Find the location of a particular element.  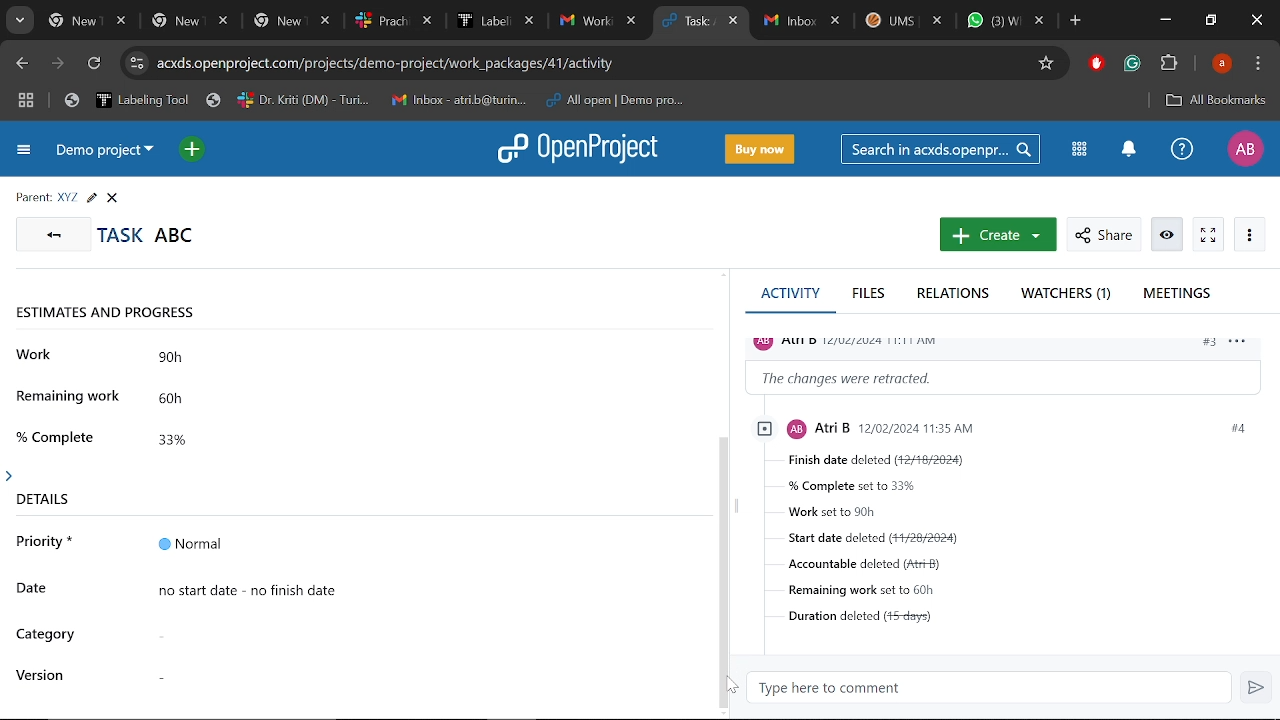

% complete is located at coordinates (59, 435).